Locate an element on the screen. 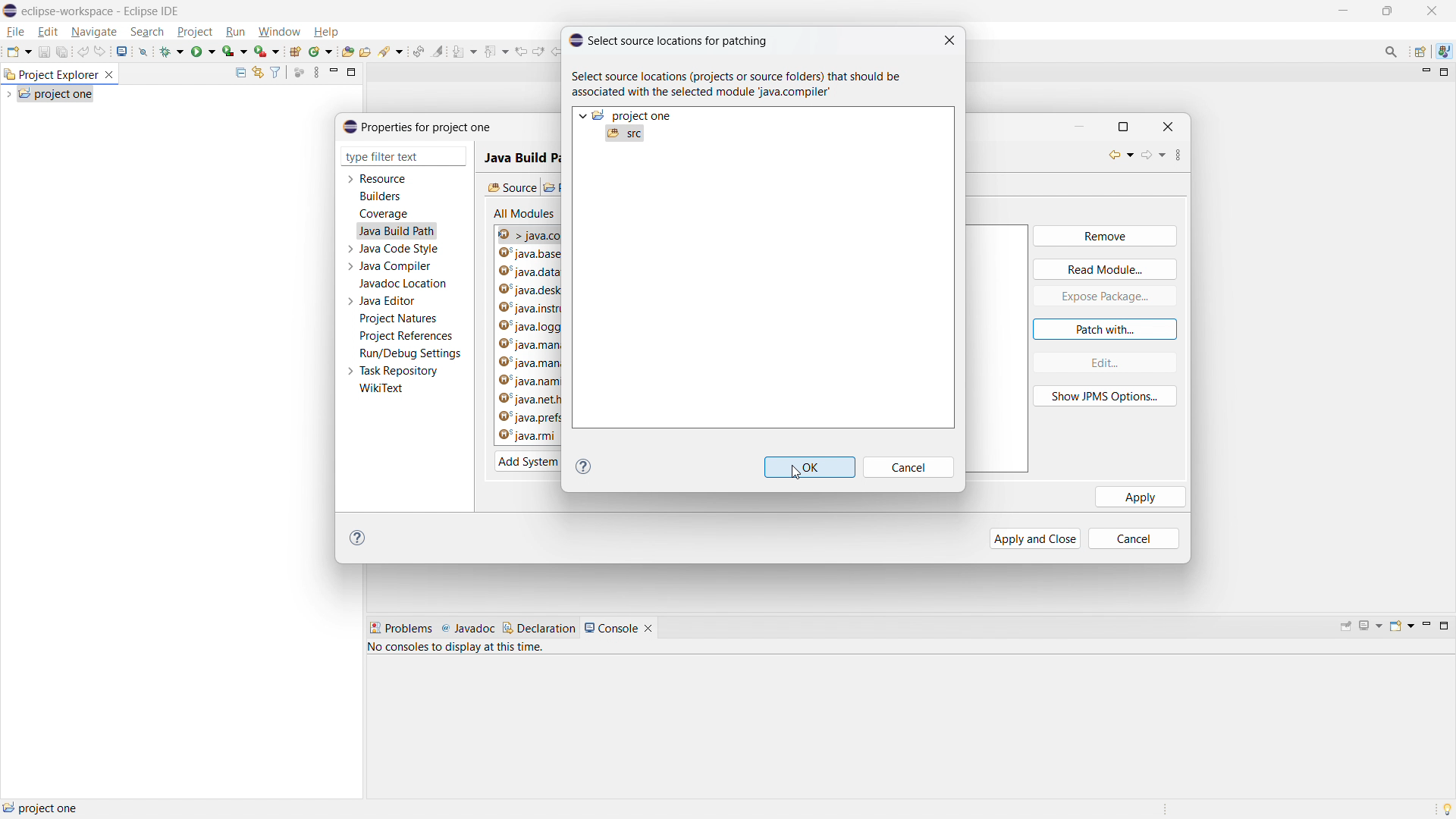  java build path selected is located at coordinates (396, 231).